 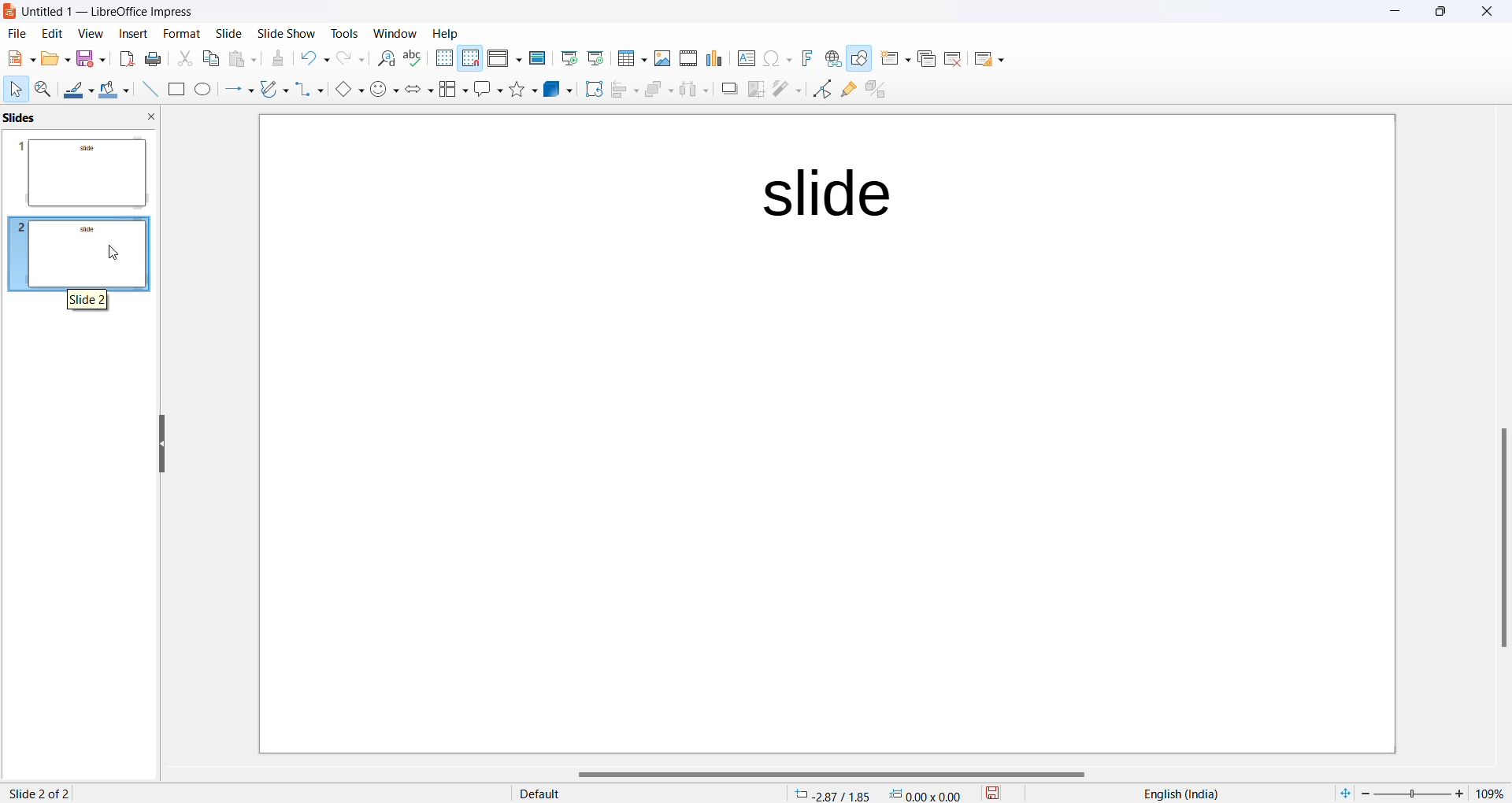 What do you see at coordinates (820, 90) in the screenshot?
I see `Toggle end point edit mode` at bounding box center [820, 90].